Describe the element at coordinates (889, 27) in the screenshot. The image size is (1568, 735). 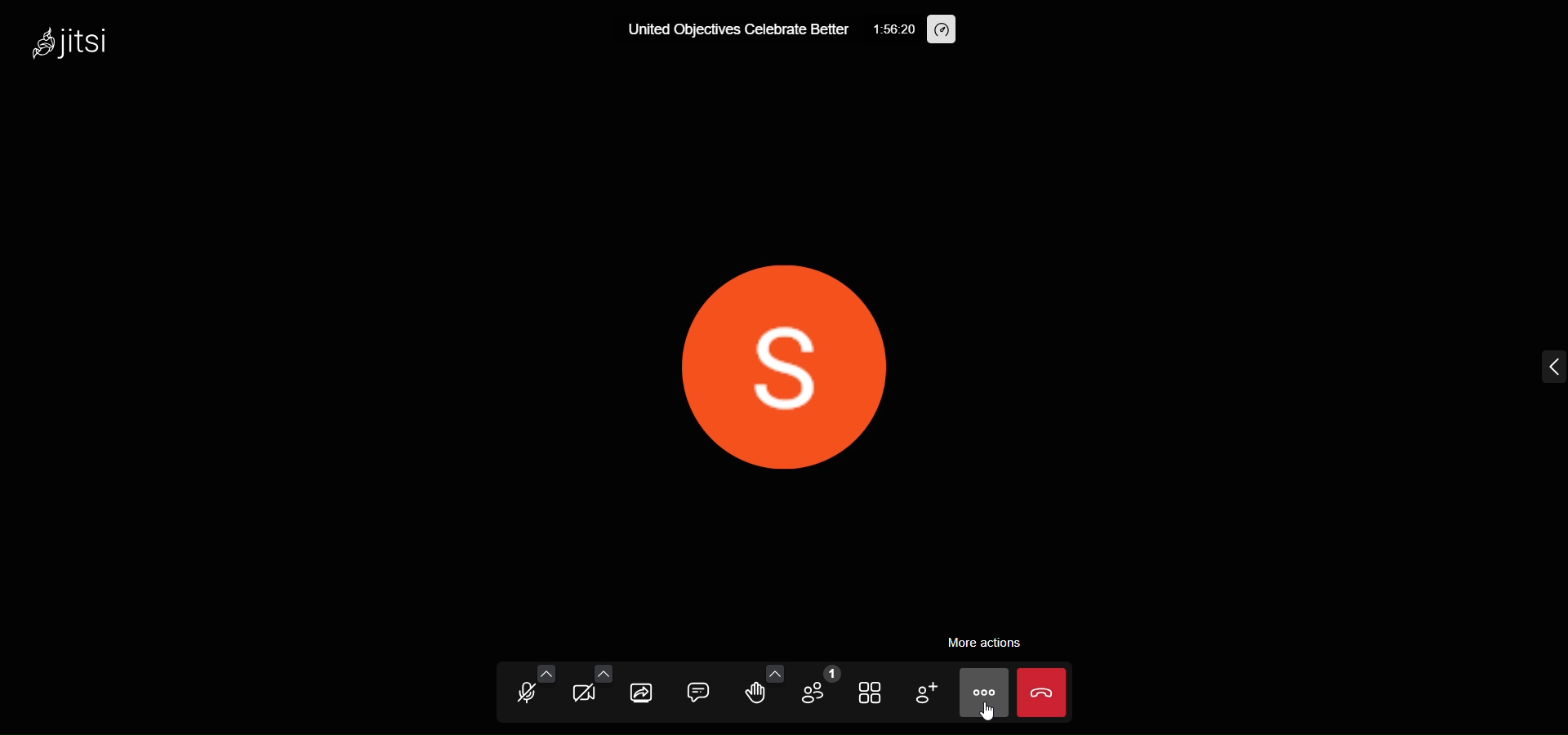
I see `1:56:20` at that location.